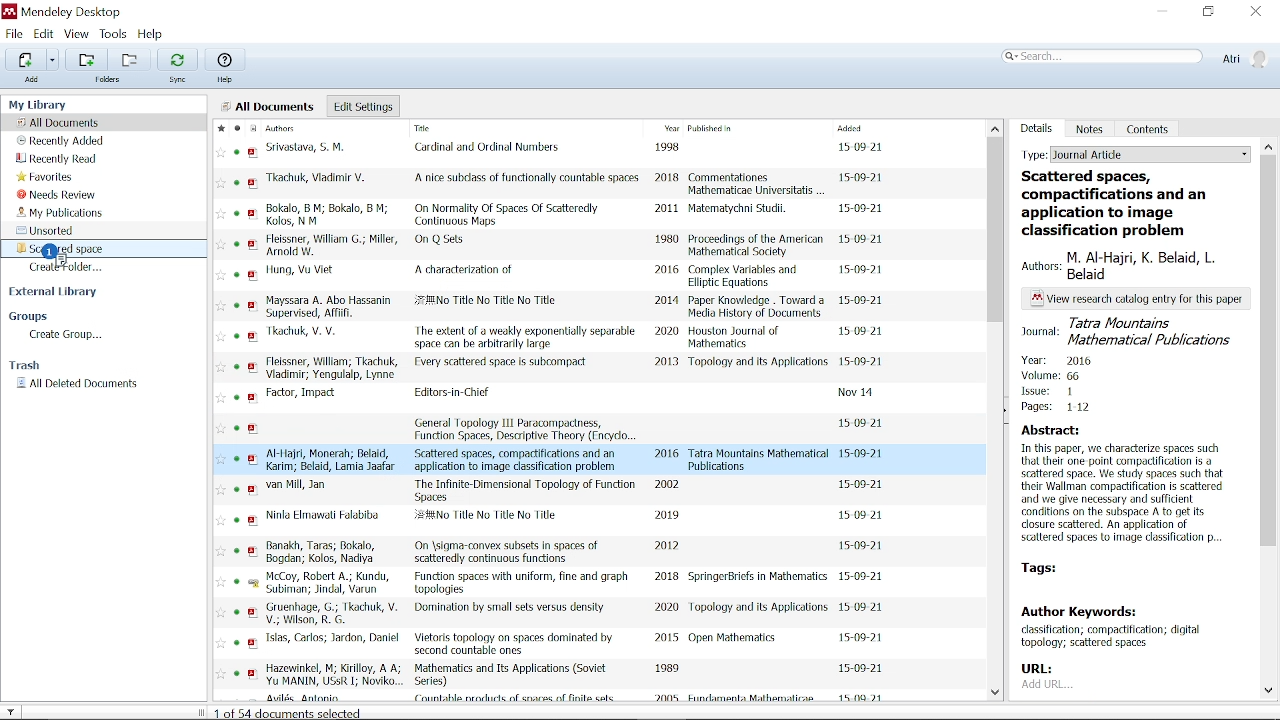  I want to click on title, so click(504, 363).